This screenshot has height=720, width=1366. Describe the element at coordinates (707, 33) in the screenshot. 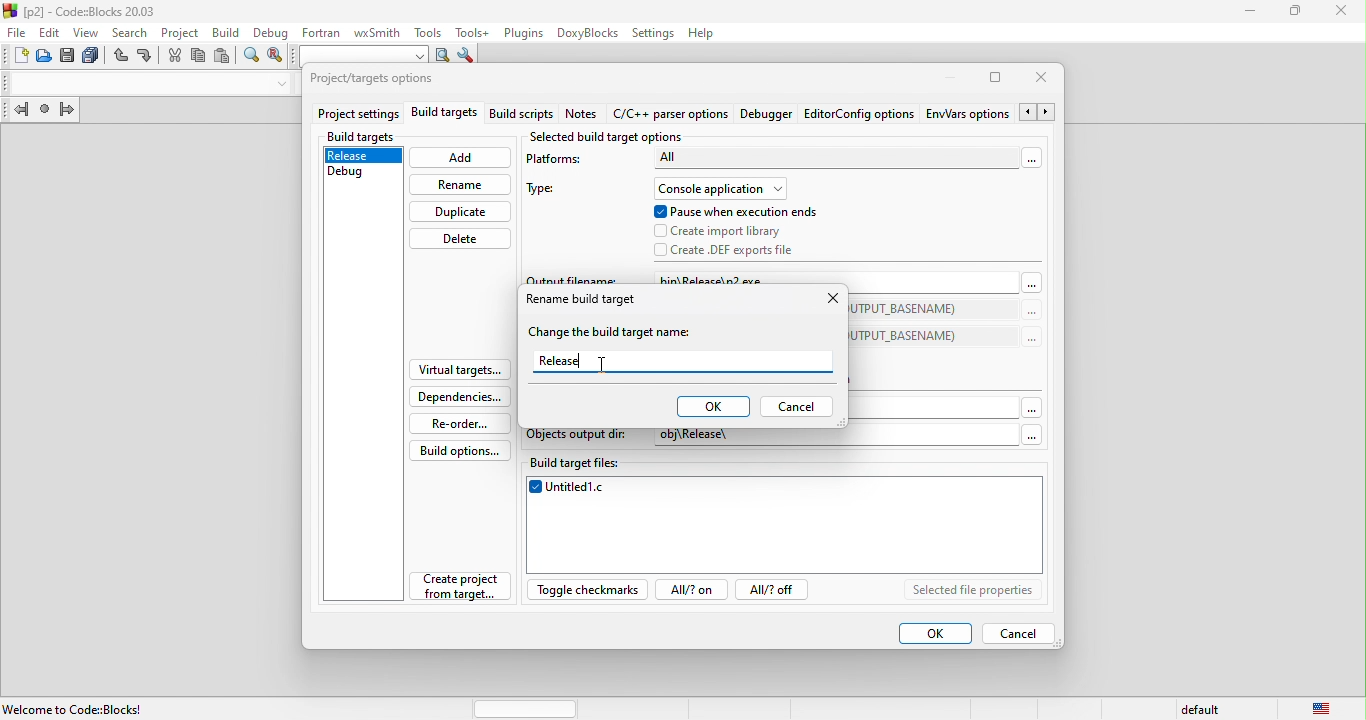

I see `help` at that location.